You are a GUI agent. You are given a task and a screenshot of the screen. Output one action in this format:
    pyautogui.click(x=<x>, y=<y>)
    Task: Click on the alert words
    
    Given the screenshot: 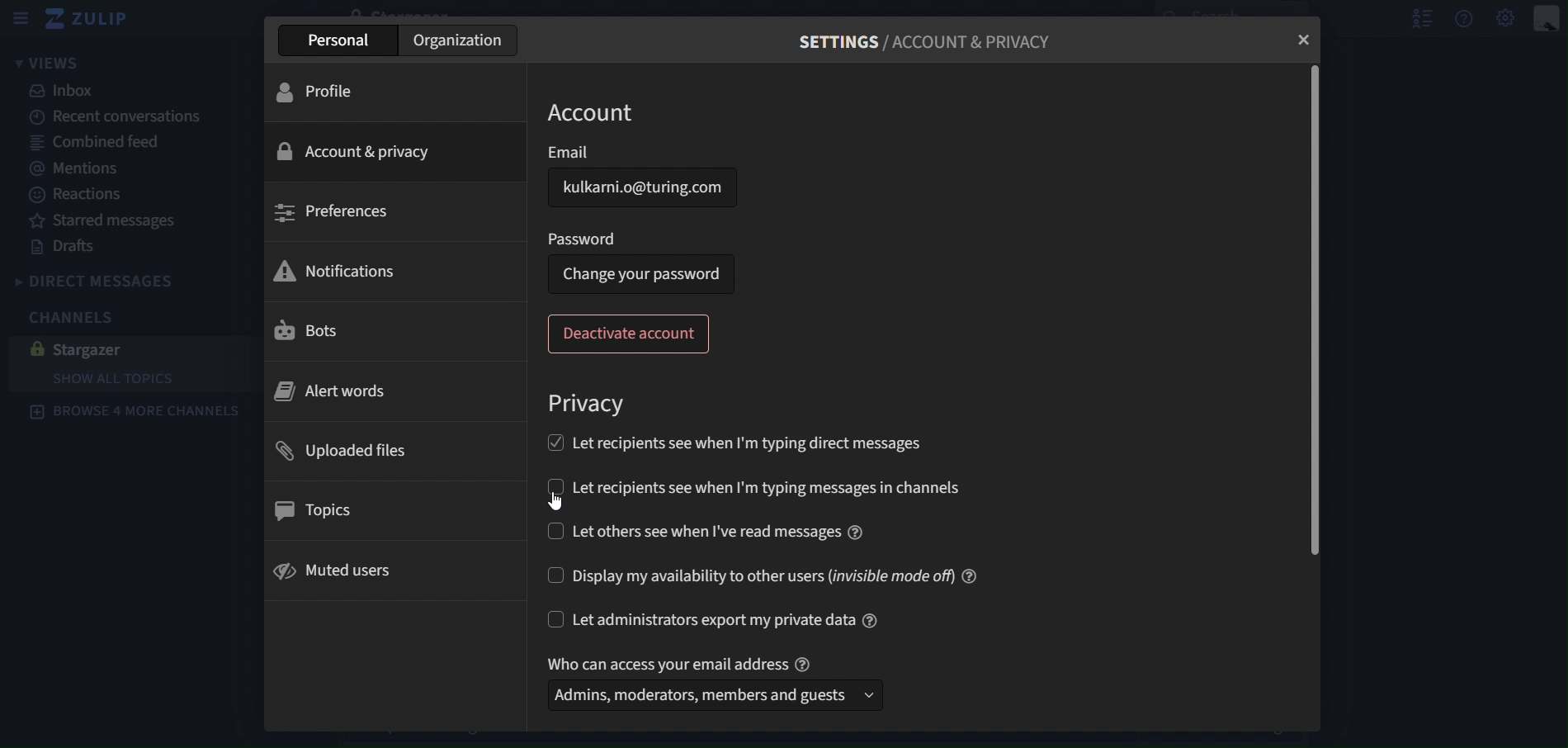 What is the action you would take?
    pyautogui.click(x=333, y=393)
    